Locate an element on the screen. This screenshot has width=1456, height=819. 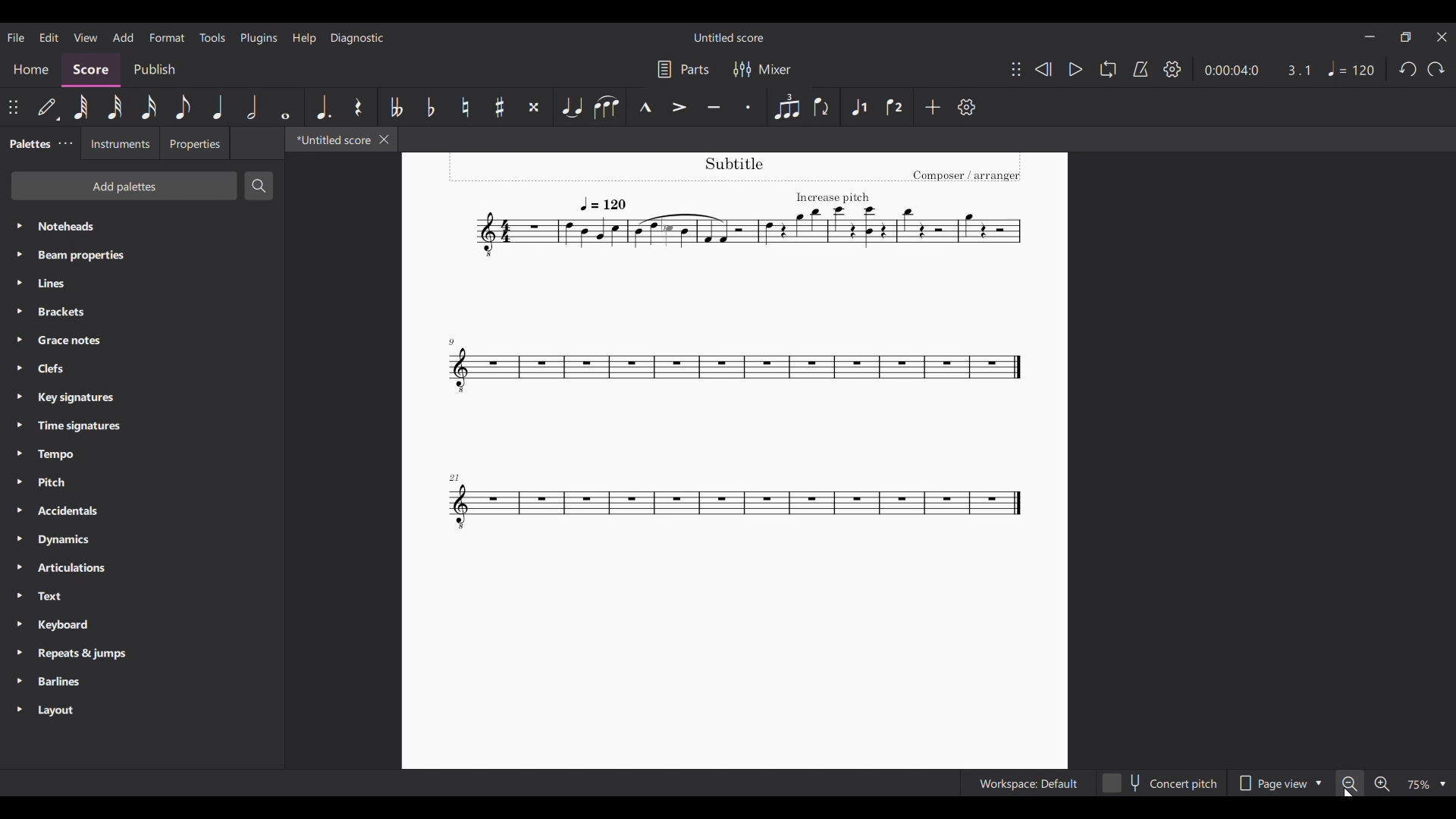
Accidentals is located at coordinates (142, 510).